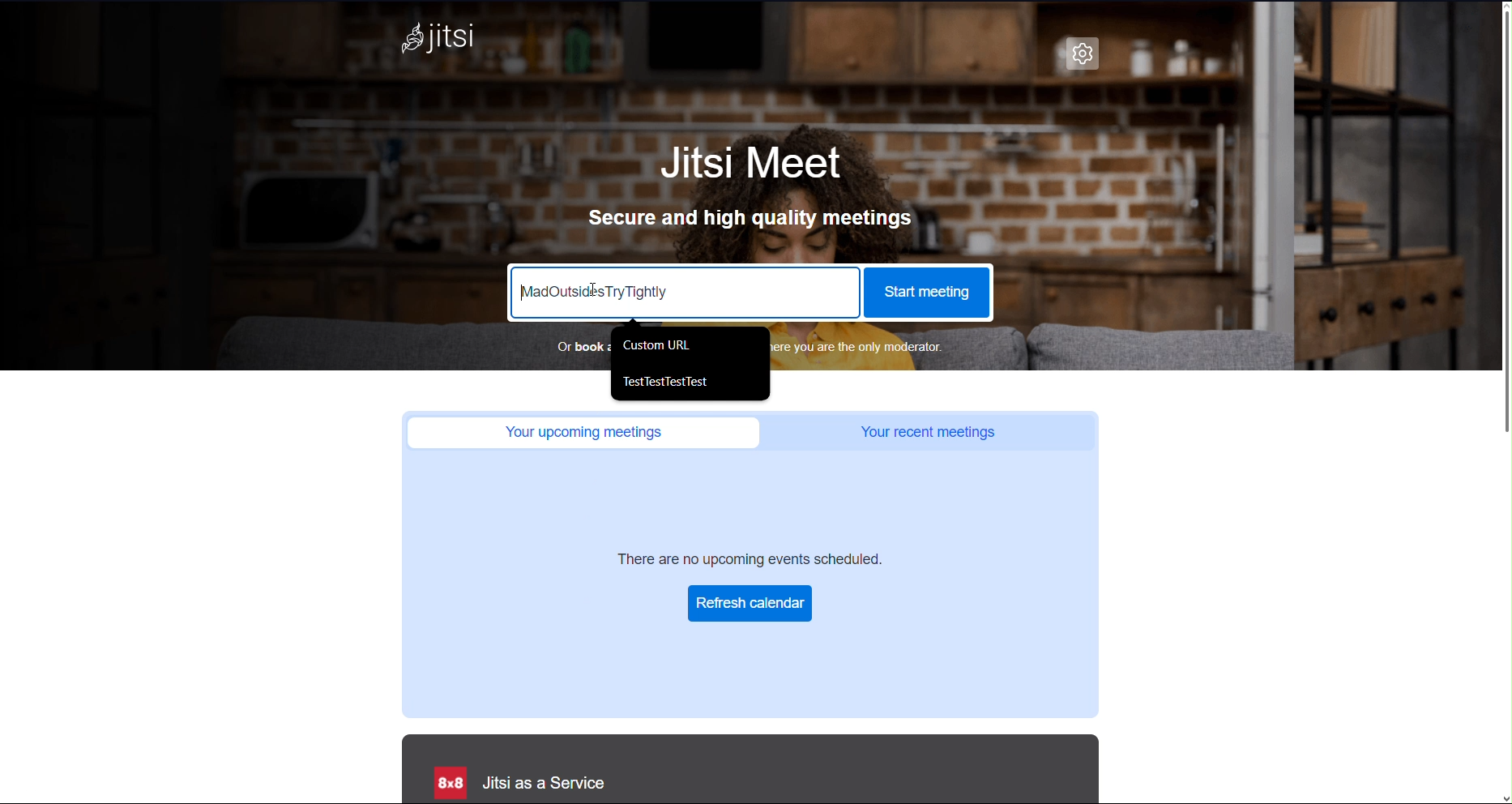 This screenshot has width=1512, height=804. What do you see at coordinates (655, 347) in the screenshot?
I see `Custom URL` at bounding box center [655, 347].